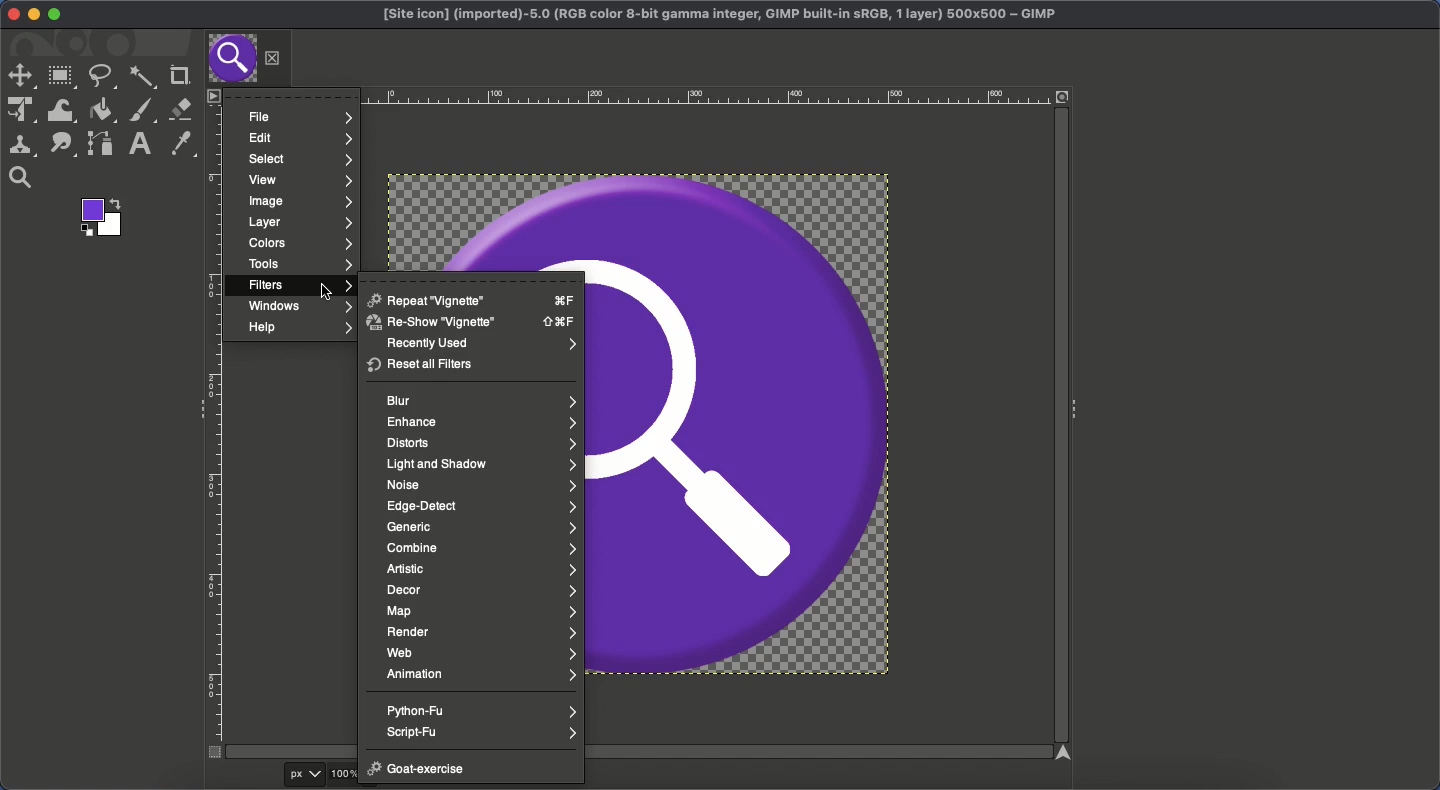  I want to click on Image, so click(752, 422).